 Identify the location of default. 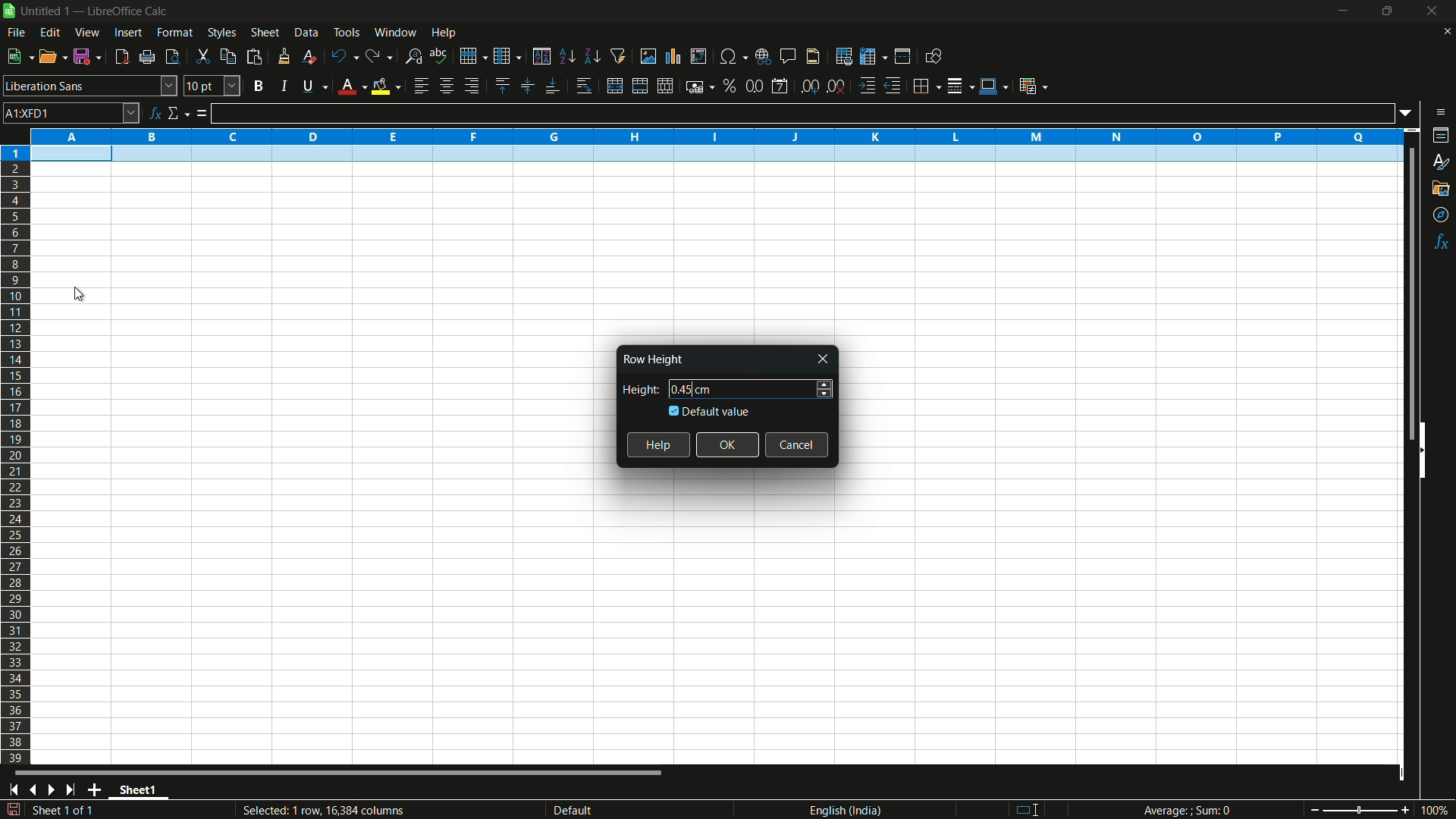
(598, 810).